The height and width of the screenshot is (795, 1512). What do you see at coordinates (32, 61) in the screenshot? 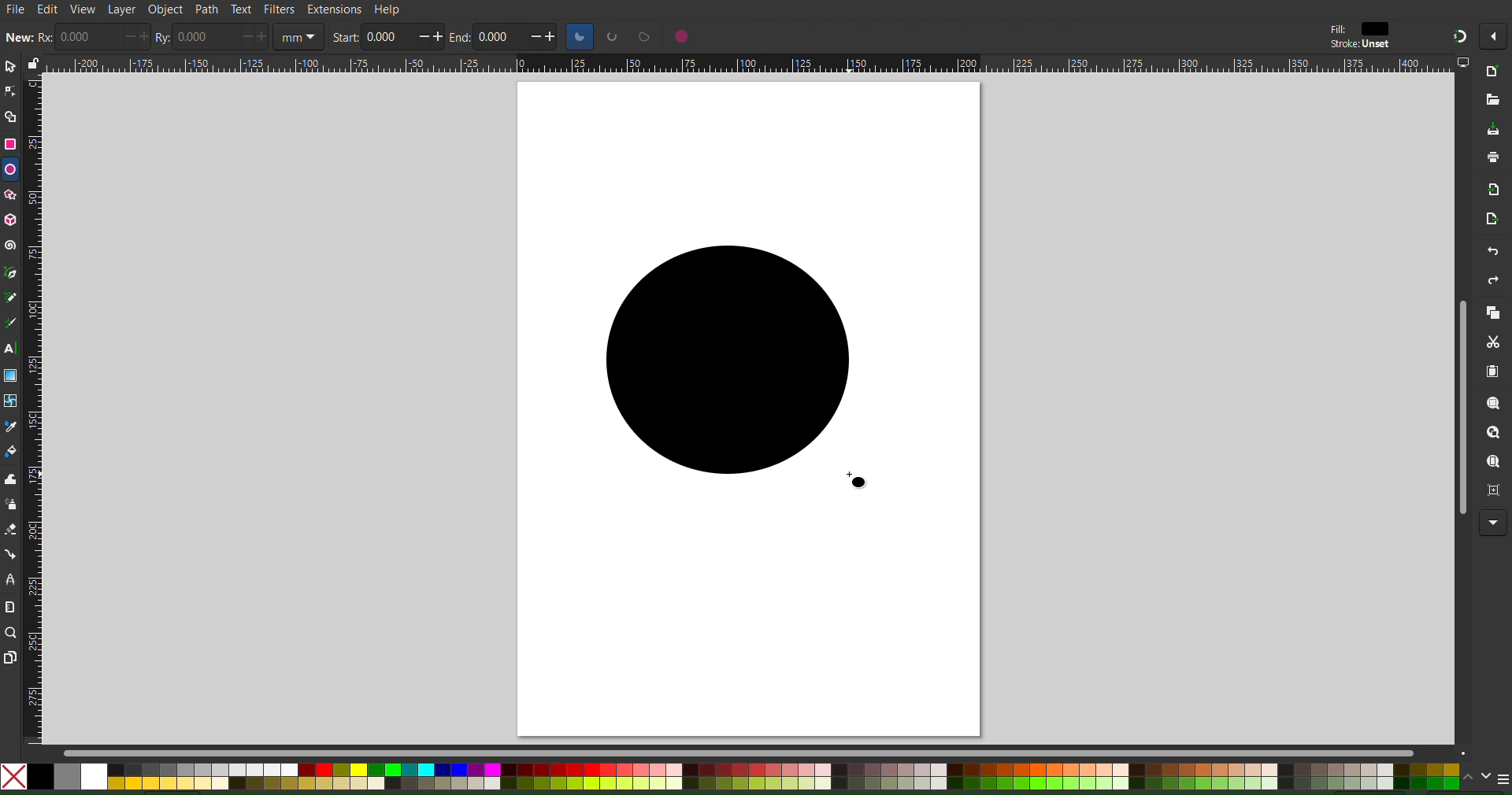
I see `lock` at bounding box center [32, 61].